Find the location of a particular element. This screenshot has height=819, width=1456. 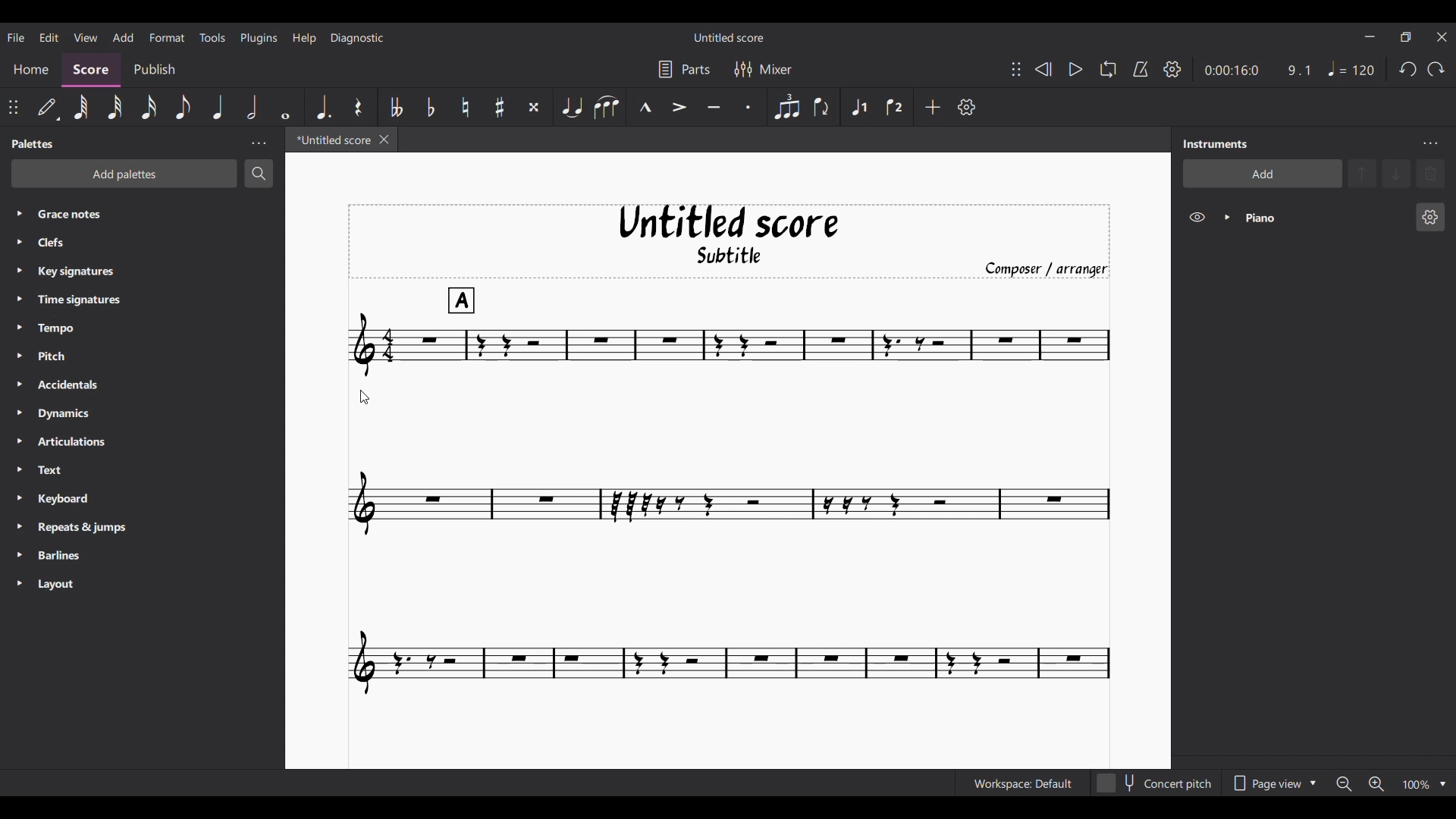

Augmentation dot is located at coordinates (323, 106).